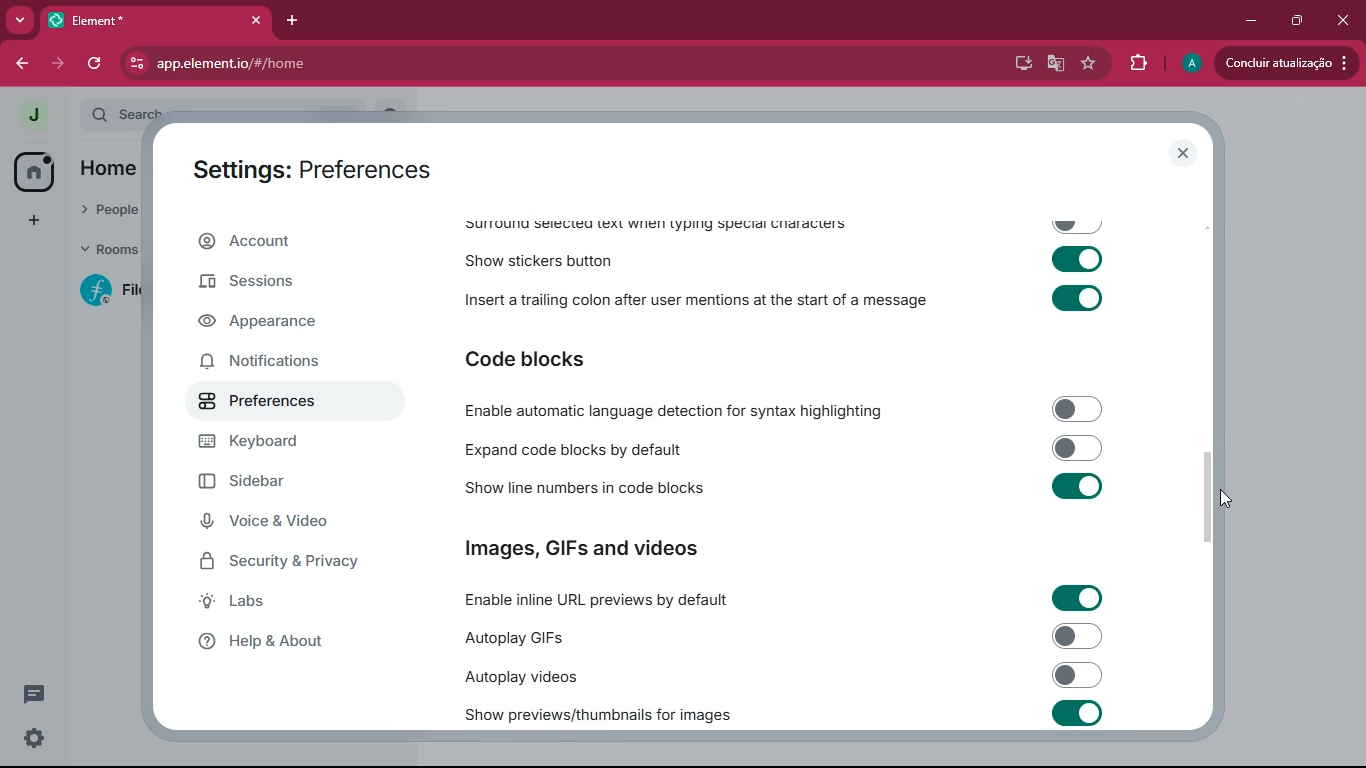  Describe the element at coordinates (1016, 64) in the screenshot. I see `desktop` at that location.